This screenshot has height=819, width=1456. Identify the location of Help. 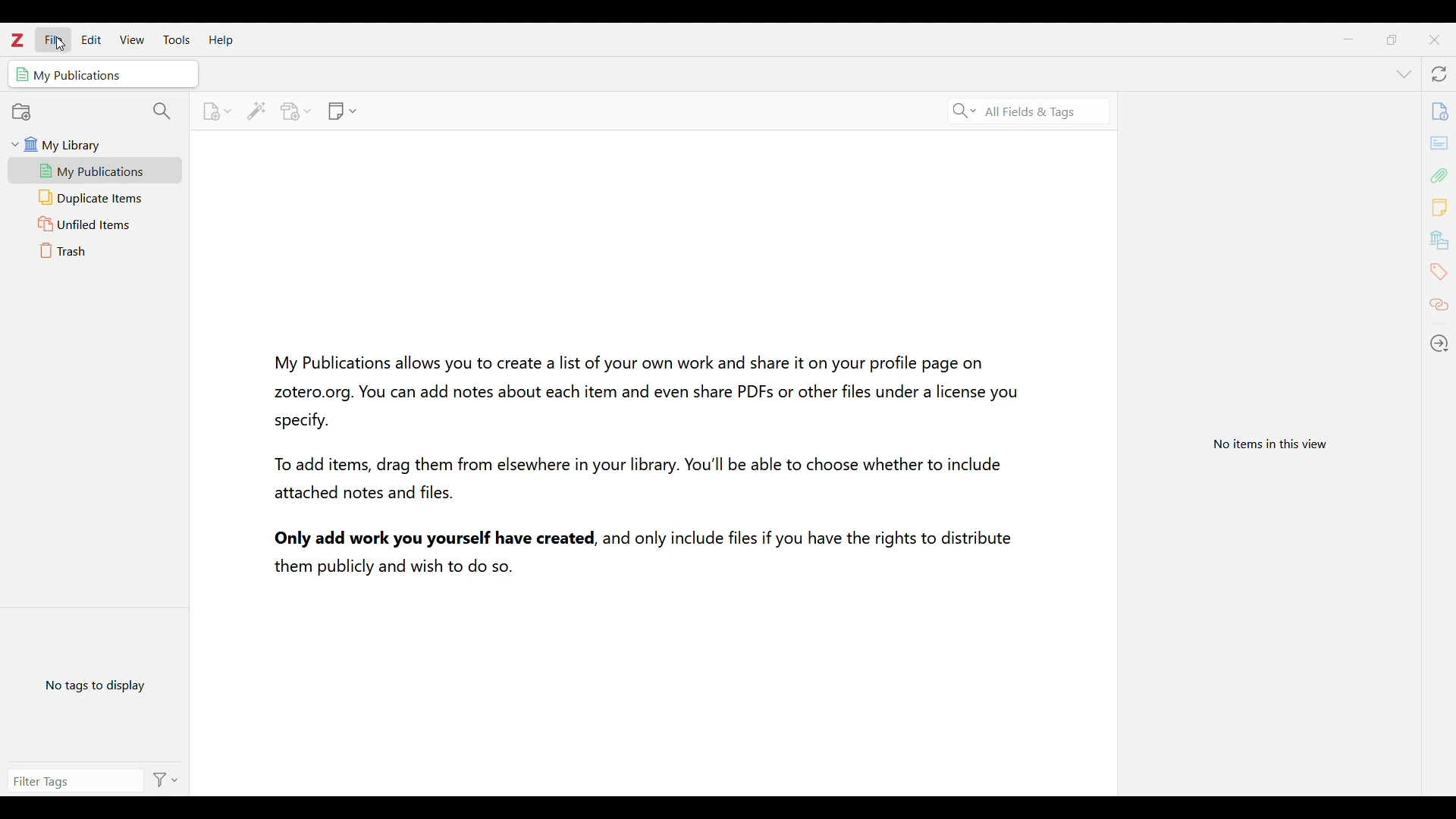
(221, 41).